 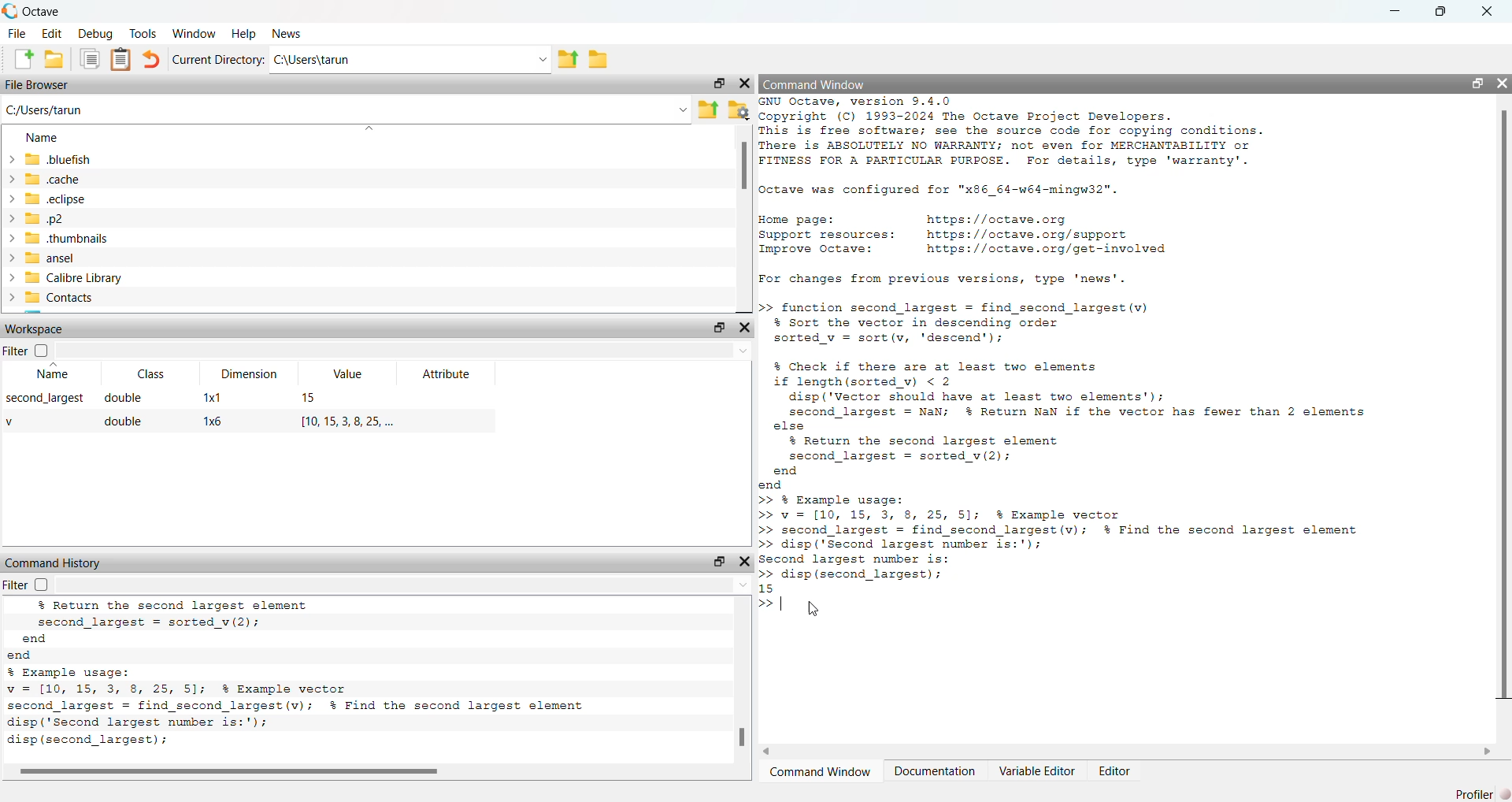 I want to click on file browser, so click(x=42, y=87).